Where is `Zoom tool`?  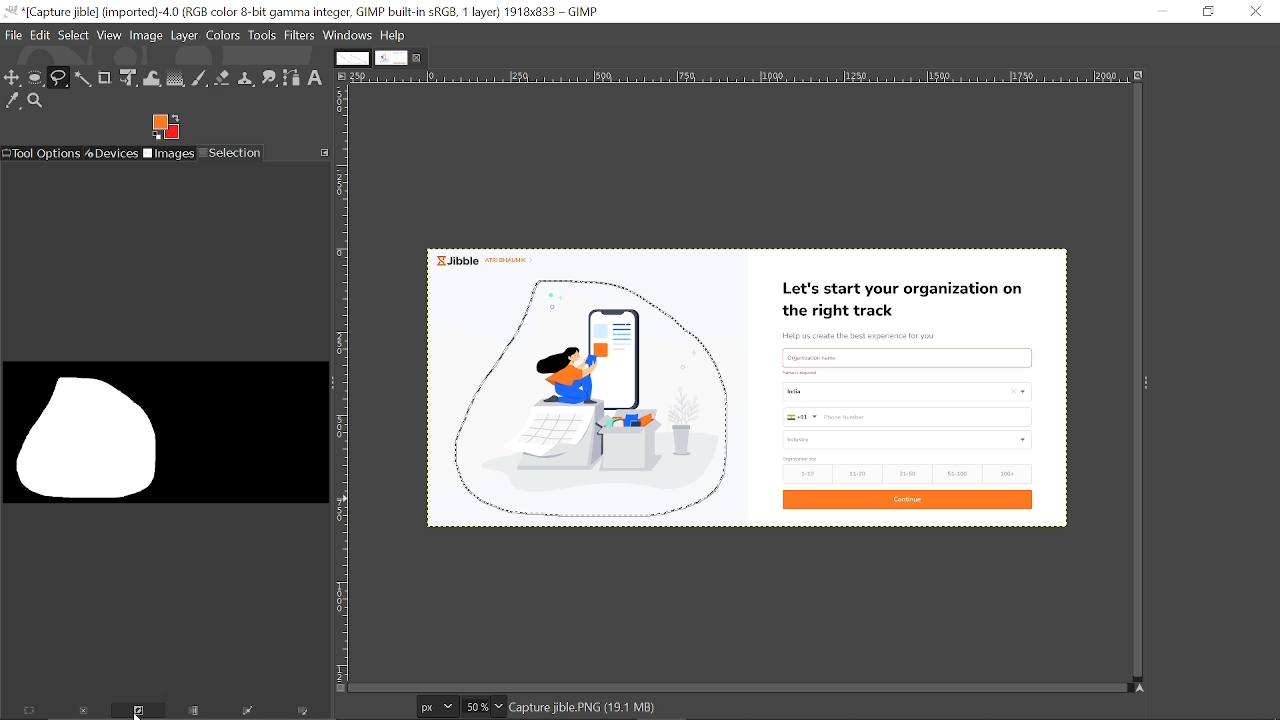 Zoom tool is located at coordinates (36, 101).